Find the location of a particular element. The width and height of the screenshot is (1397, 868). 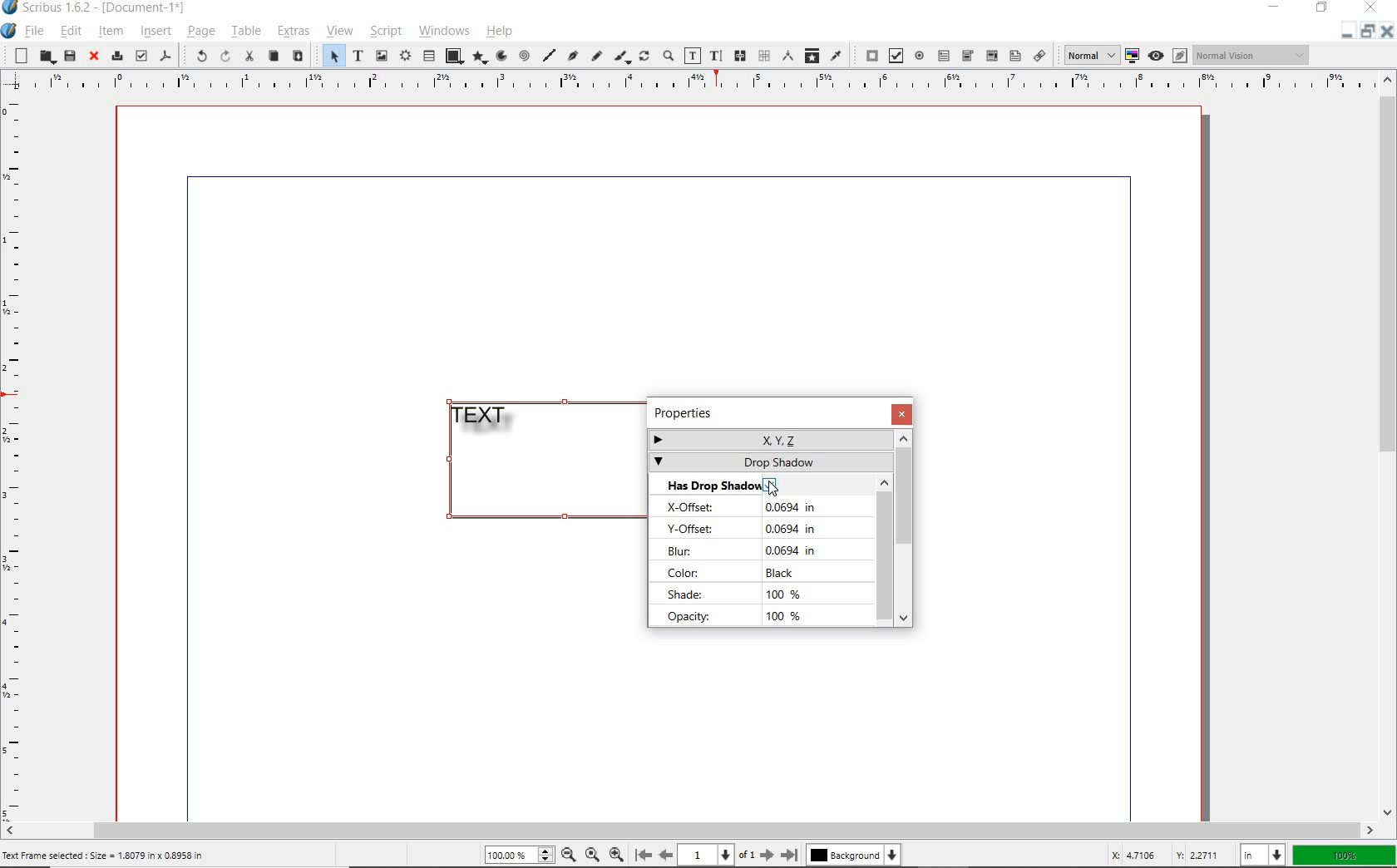

scrollbar is located at coordinates (905, 527).